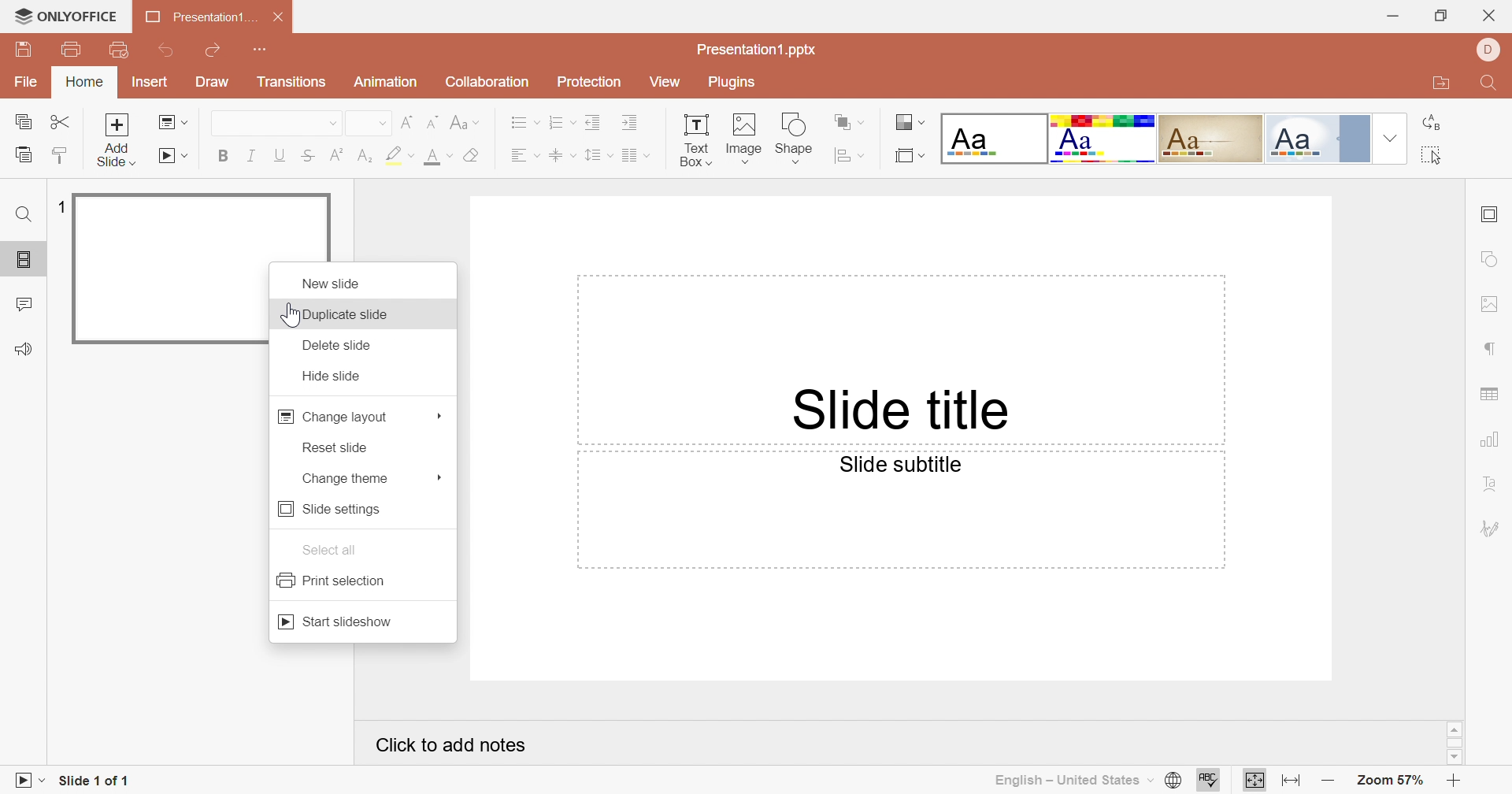 This screenshot has width=1512, height=794. Describe the element at coordinates (336, 416) in the screenshot. I see `Change layout` at that location.